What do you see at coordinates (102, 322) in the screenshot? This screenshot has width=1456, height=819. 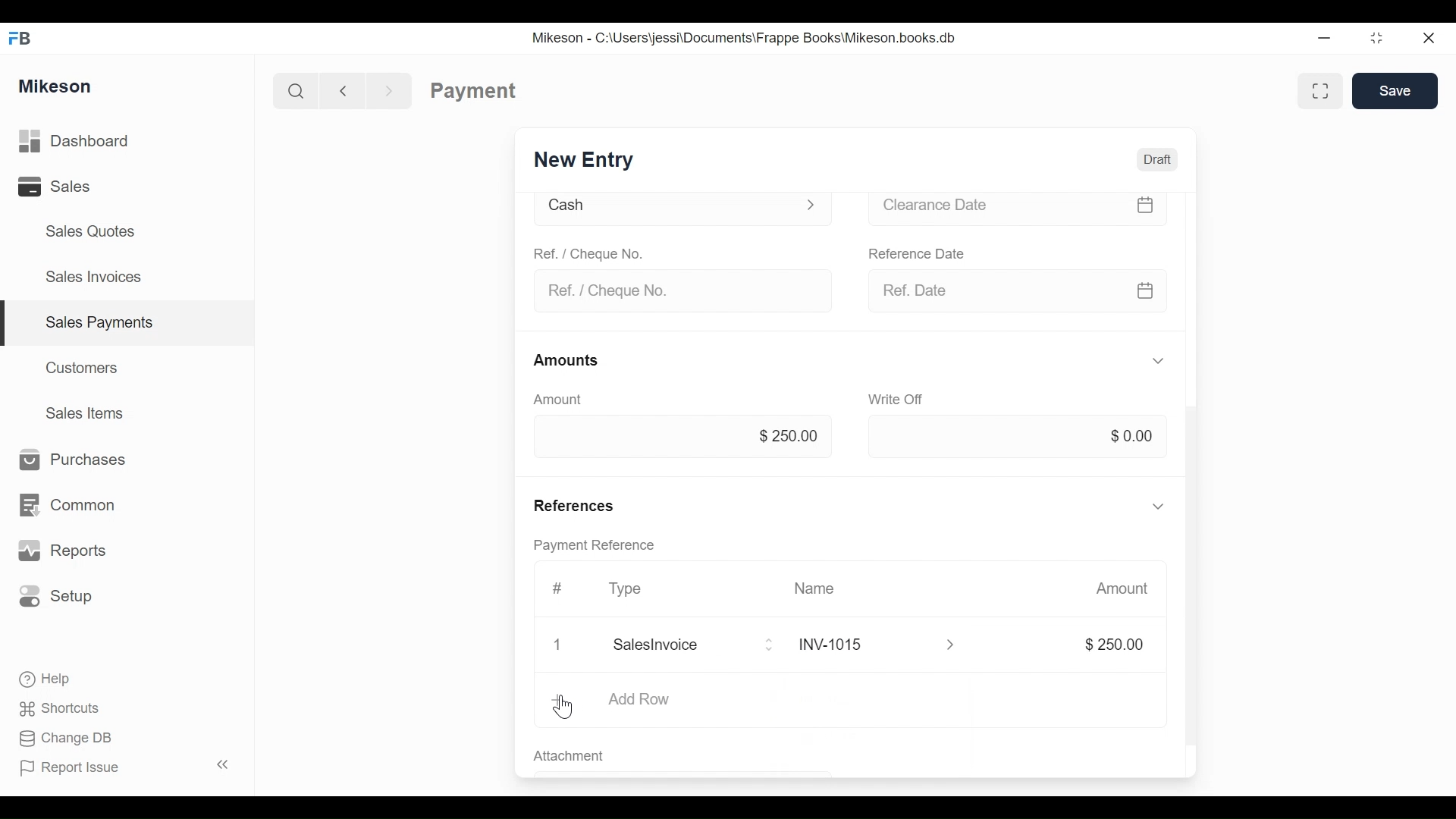 I see `Sales payments` at bounding box center [102, 322].